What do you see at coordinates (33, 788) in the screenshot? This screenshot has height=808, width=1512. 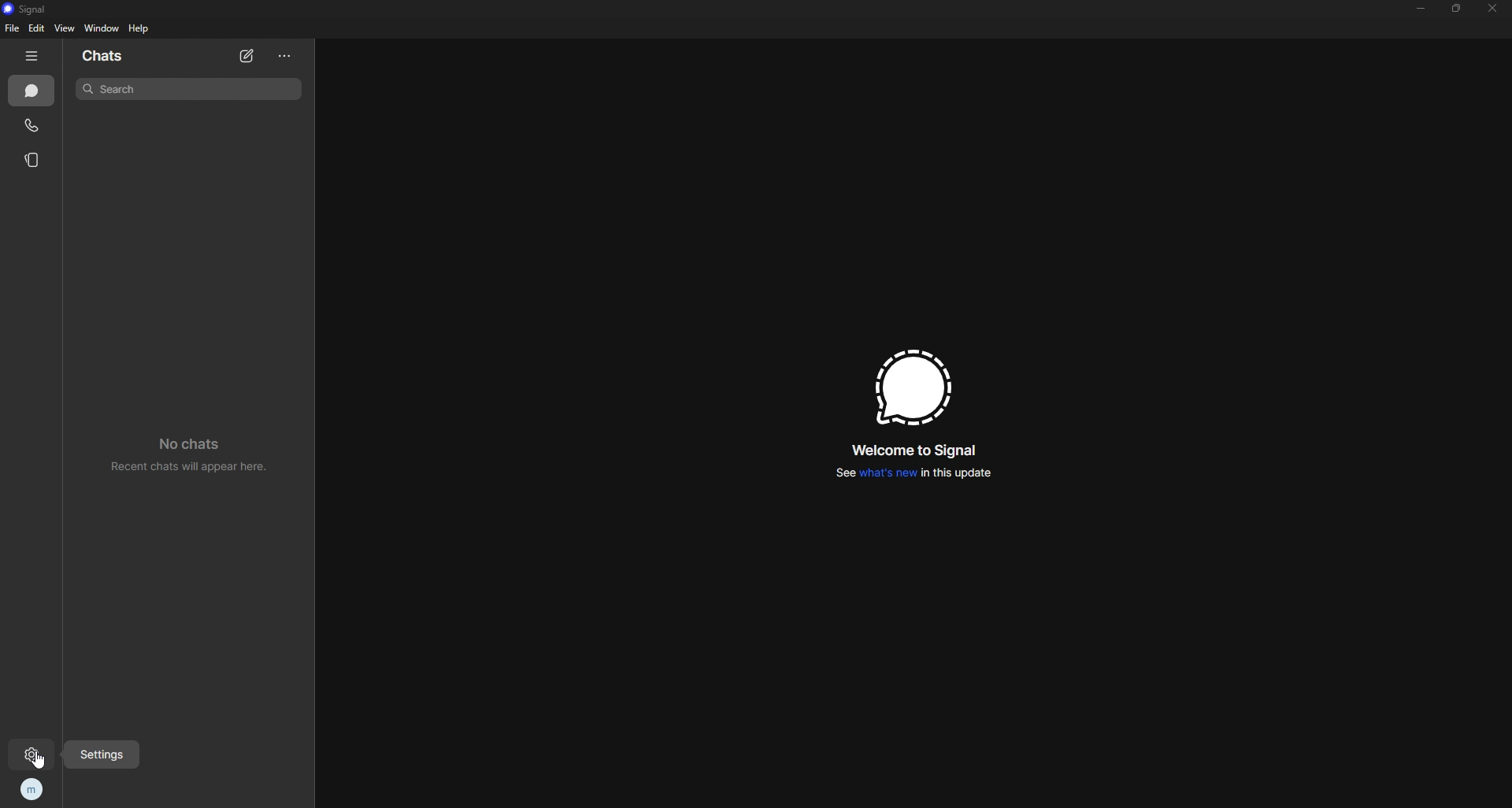 I see `profile` at bounding box center [33, 788].